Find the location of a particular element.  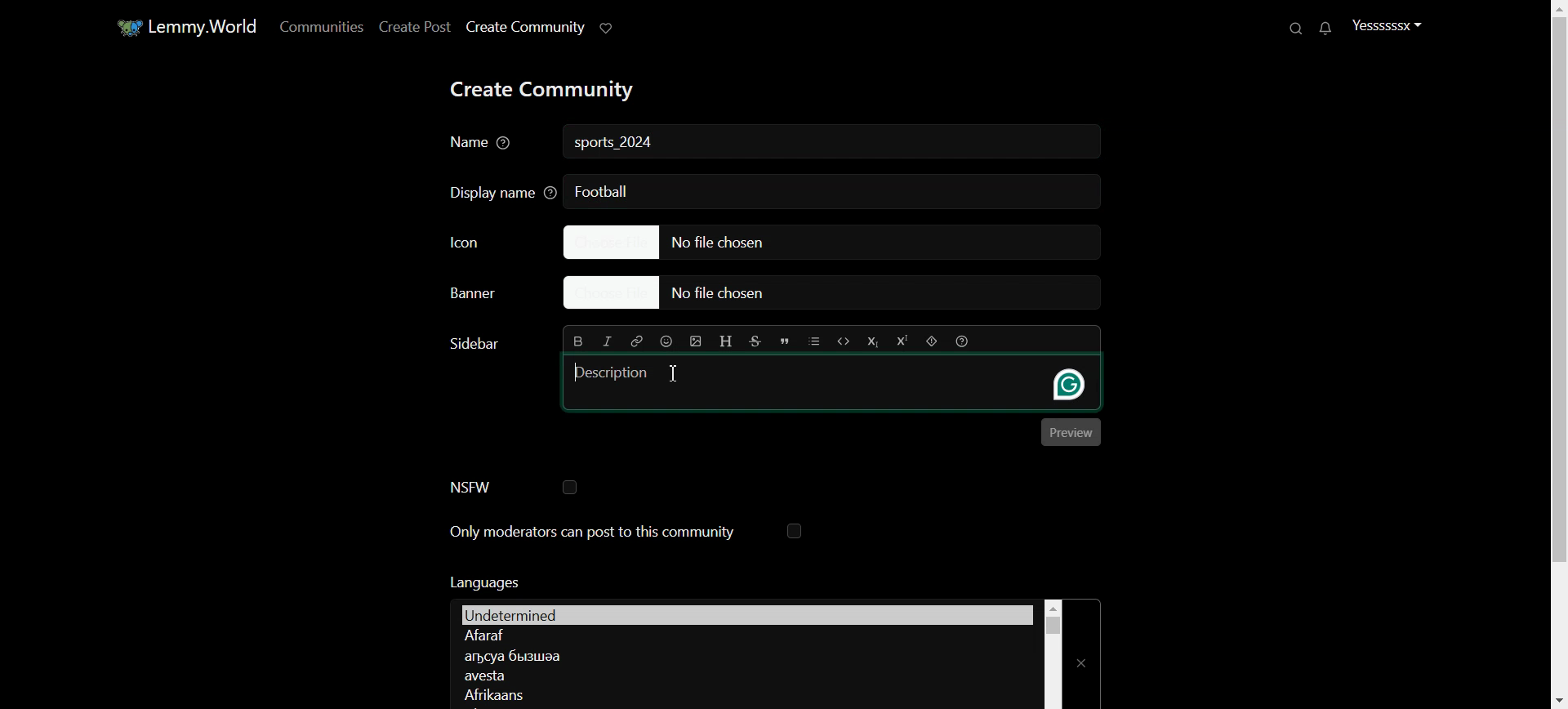

List is located at coordinates (814, 341).